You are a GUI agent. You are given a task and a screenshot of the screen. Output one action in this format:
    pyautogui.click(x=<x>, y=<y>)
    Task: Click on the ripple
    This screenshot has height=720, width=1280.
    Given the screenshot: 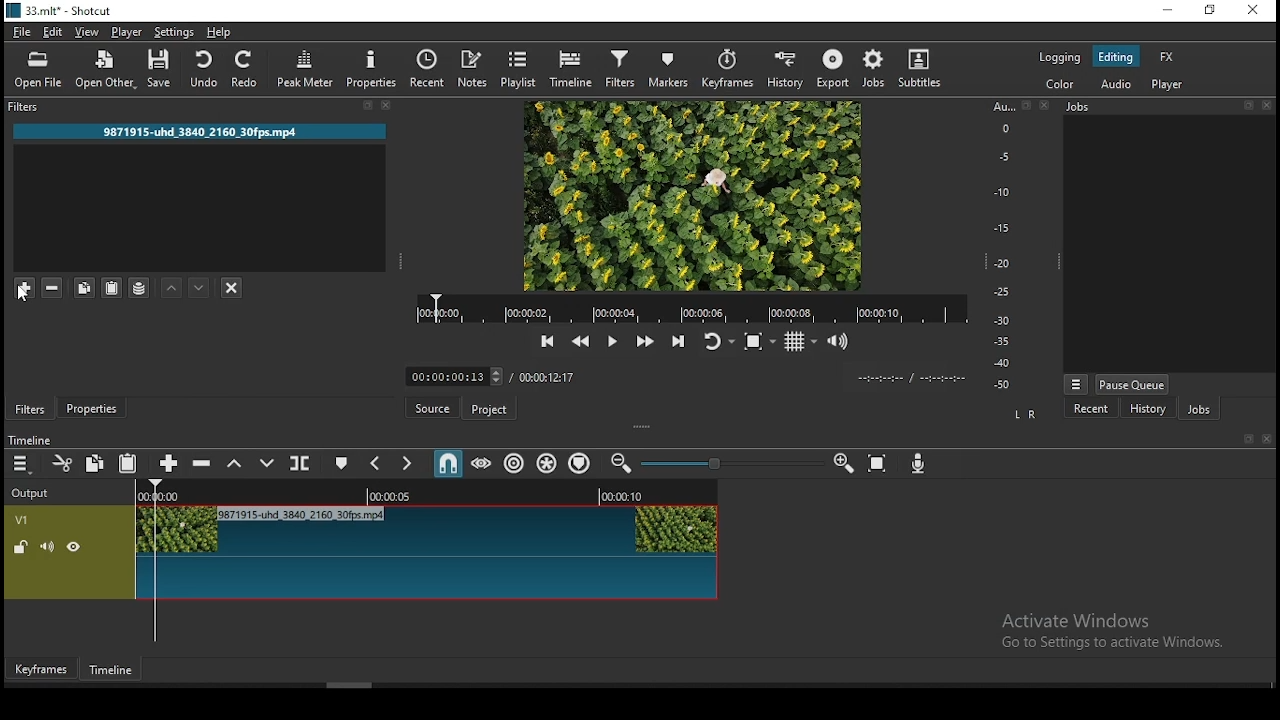 What is the action you would take?
    pyautogui.click(x=514, y=463)
    